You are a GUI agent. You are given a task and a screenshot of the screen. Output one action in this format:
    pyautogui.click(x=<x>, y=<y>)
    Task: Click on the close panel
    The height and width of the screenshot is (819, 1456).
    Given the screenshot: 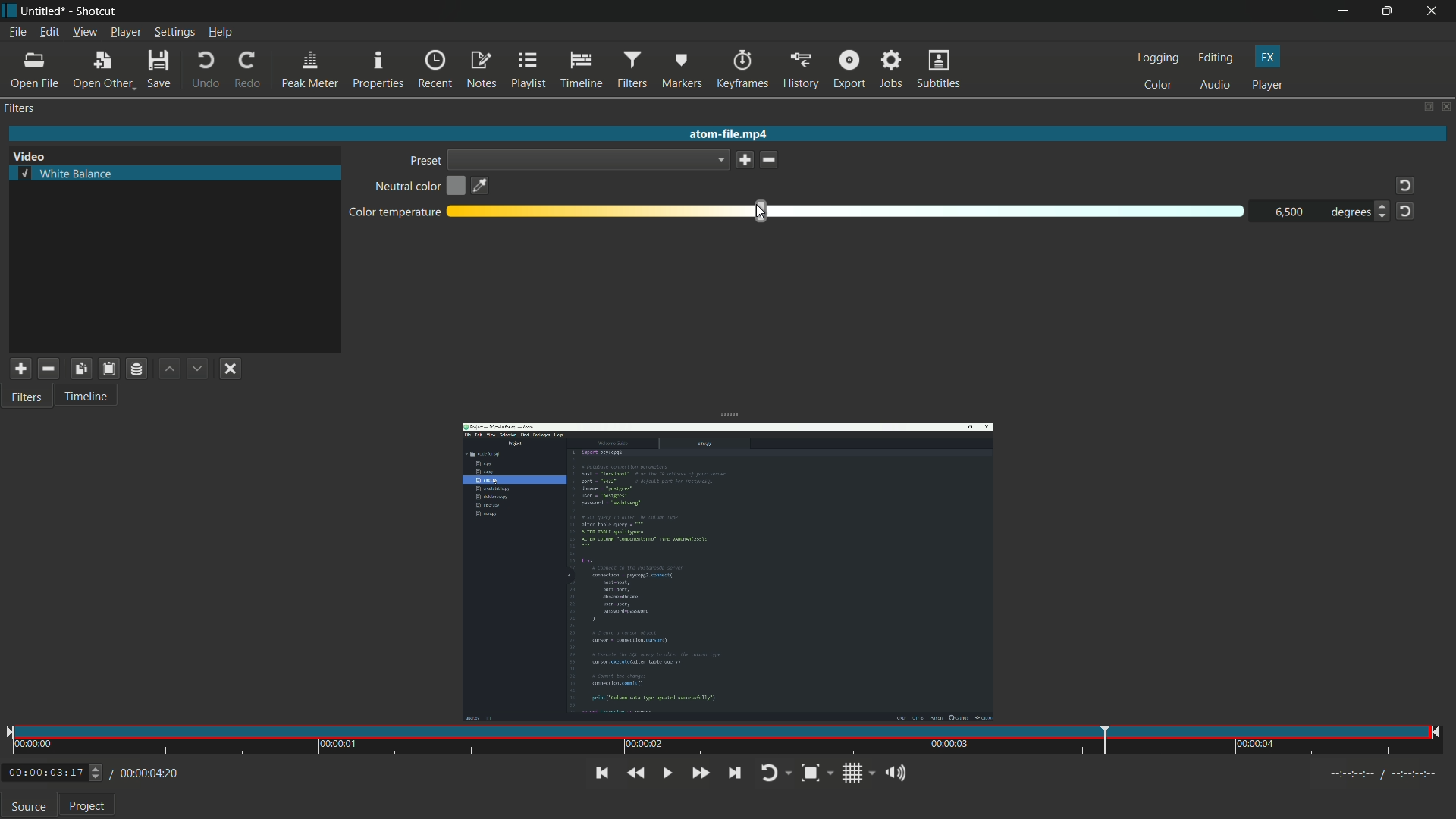 What is the action you would take?
    pyautogui.click(x=1447, y=106)
    